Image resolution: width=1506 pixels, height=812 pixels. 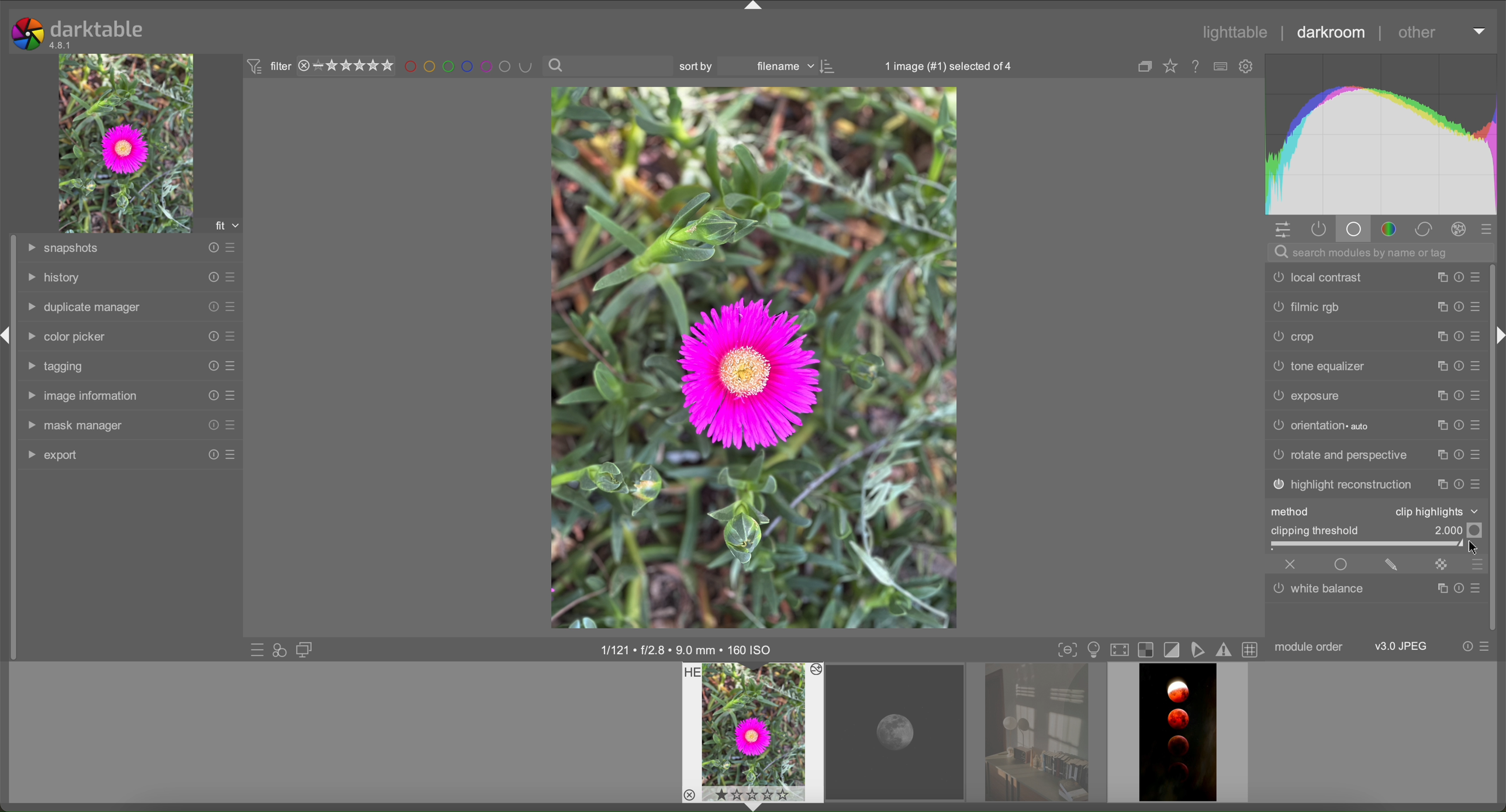 I want to click on presets, so click(x=1475, y=588).